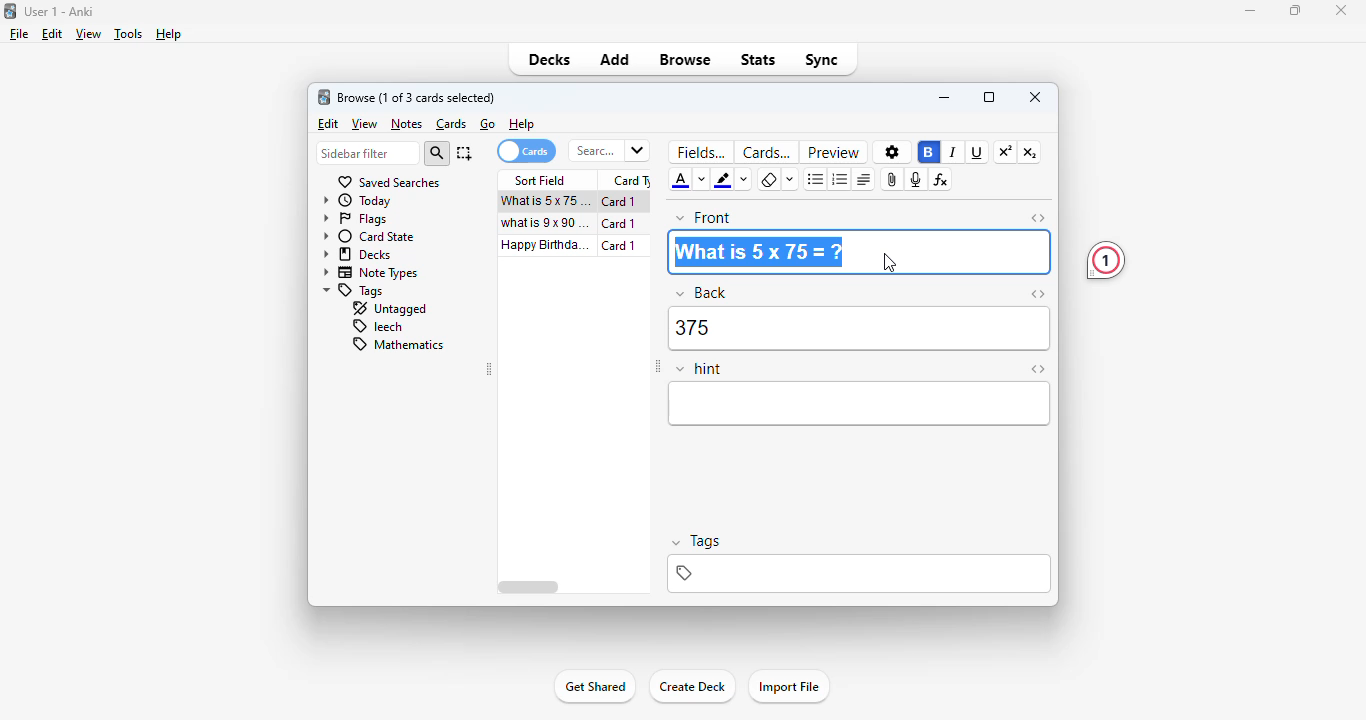 This screenshot has height=720, width=1366. What do you see at coordinates (487, 124) in the screenshot?
I see `go` at bounding box center [487, 124].